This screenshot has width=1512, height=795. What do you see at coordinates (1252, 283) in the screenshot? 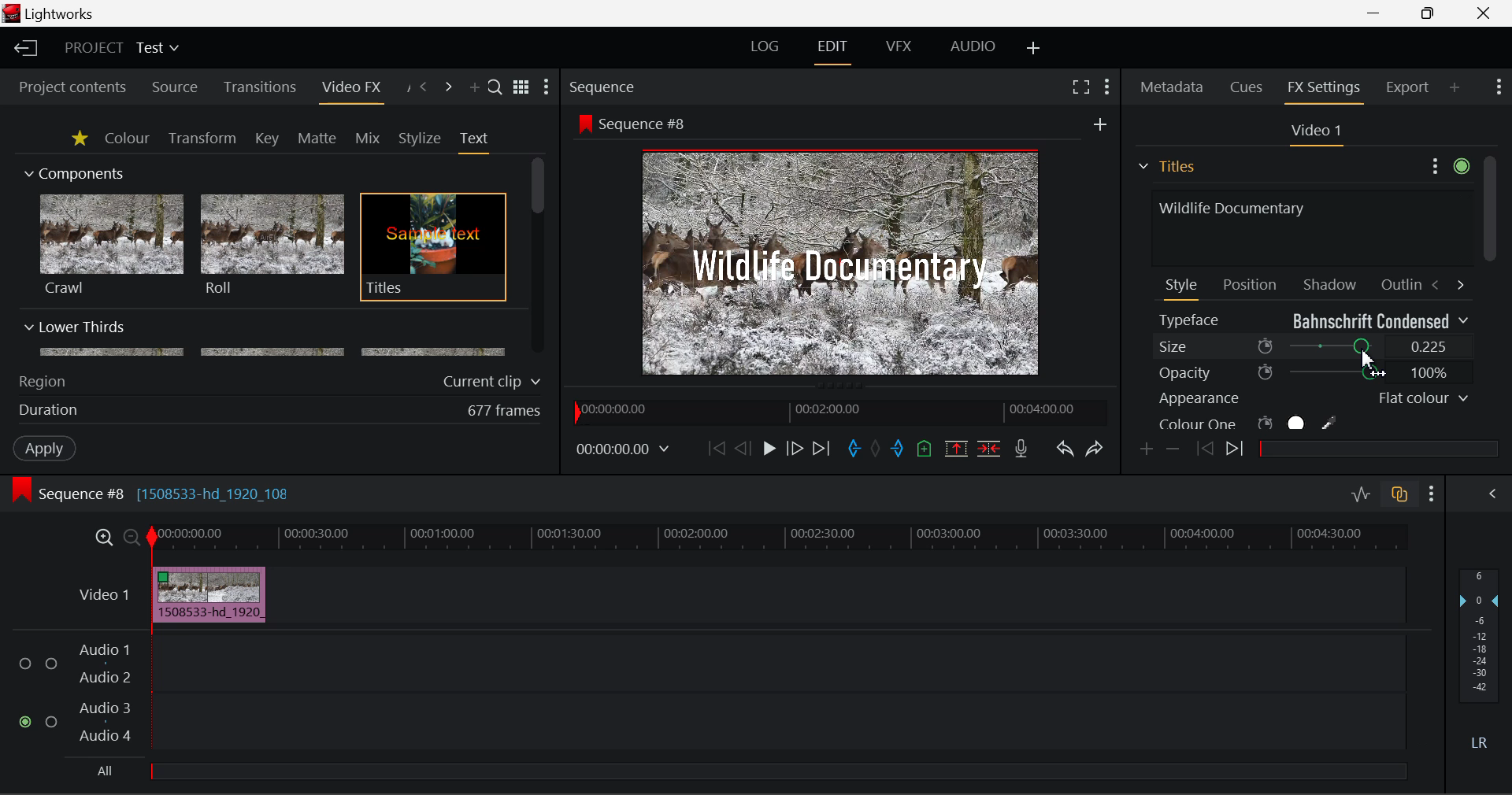
I see `Position` at bounding box center [1252, 283].